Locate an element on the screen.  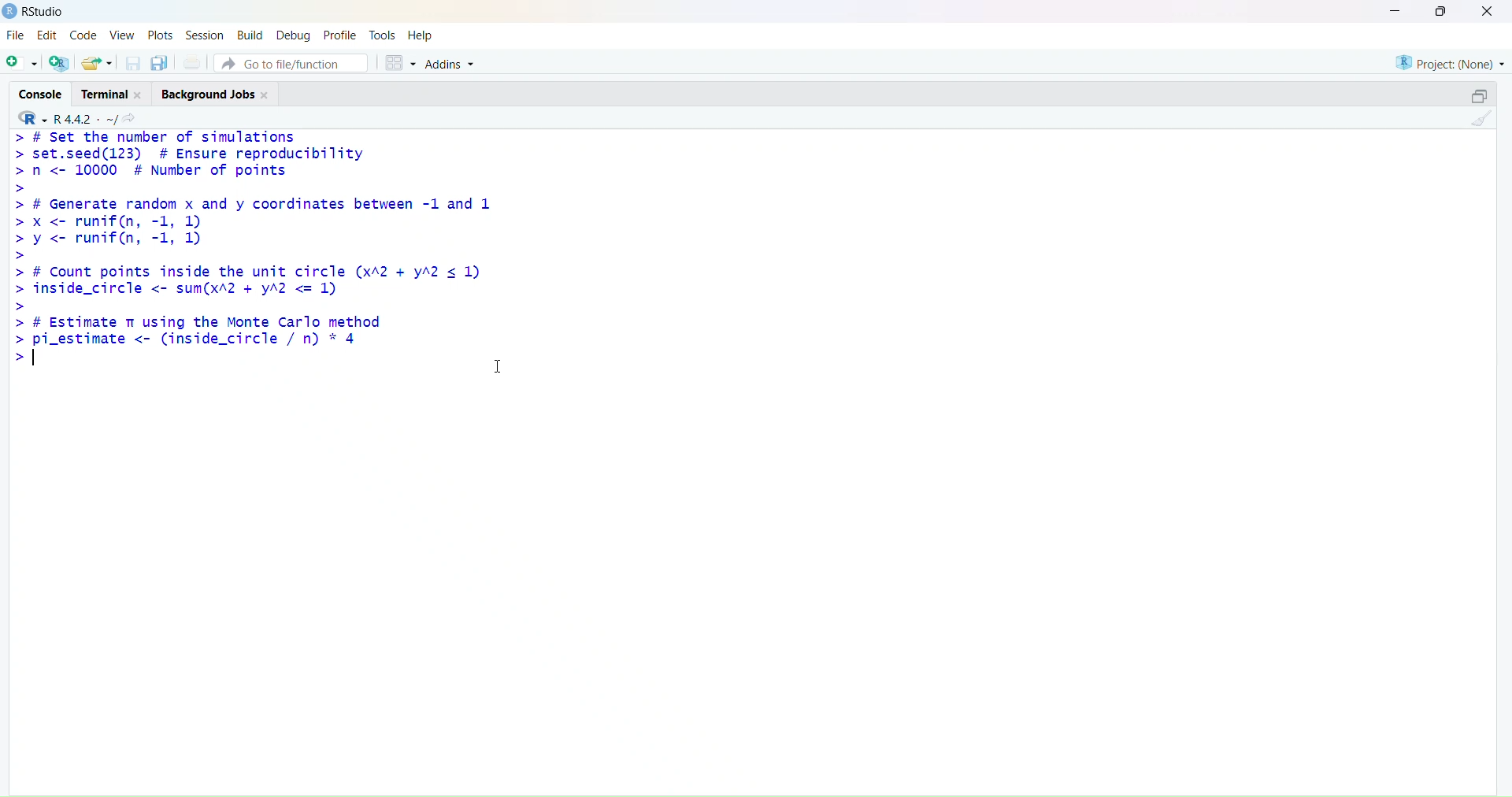
Debug is located at coordinates (296, 34).